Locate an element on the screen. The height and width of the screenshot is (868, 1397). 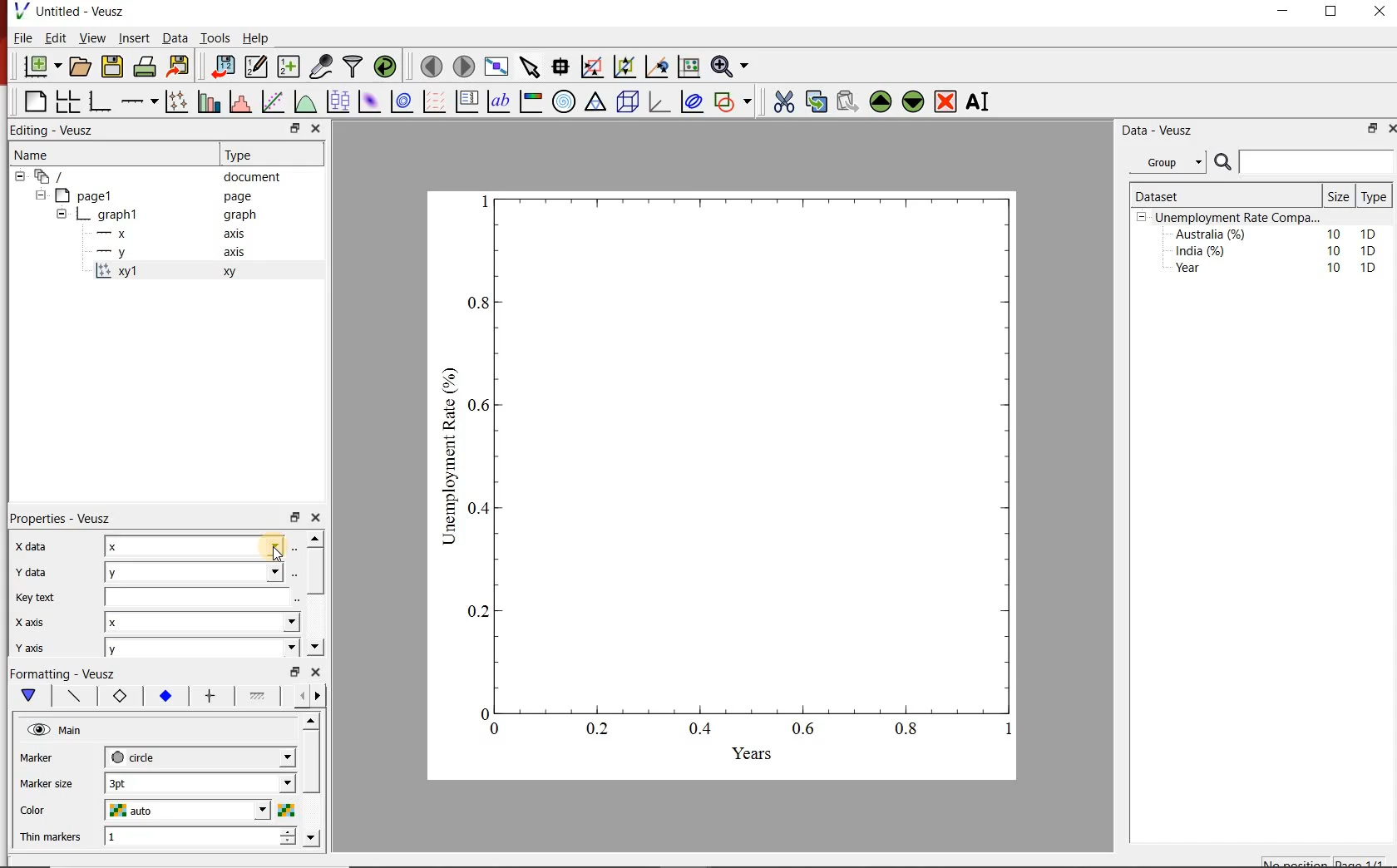
edit and enter new datasets is located at coordinates (258, 65).